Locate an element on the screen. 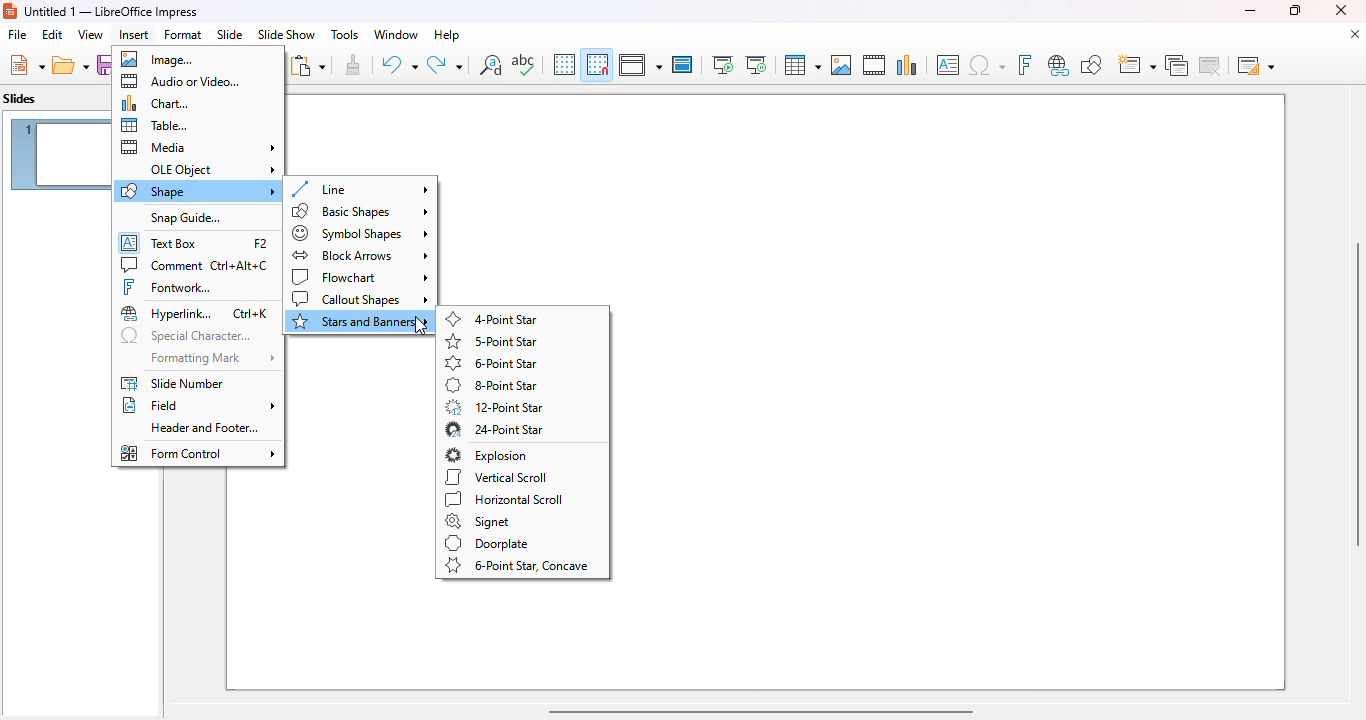  explosion is located at coordinates (487, 455).